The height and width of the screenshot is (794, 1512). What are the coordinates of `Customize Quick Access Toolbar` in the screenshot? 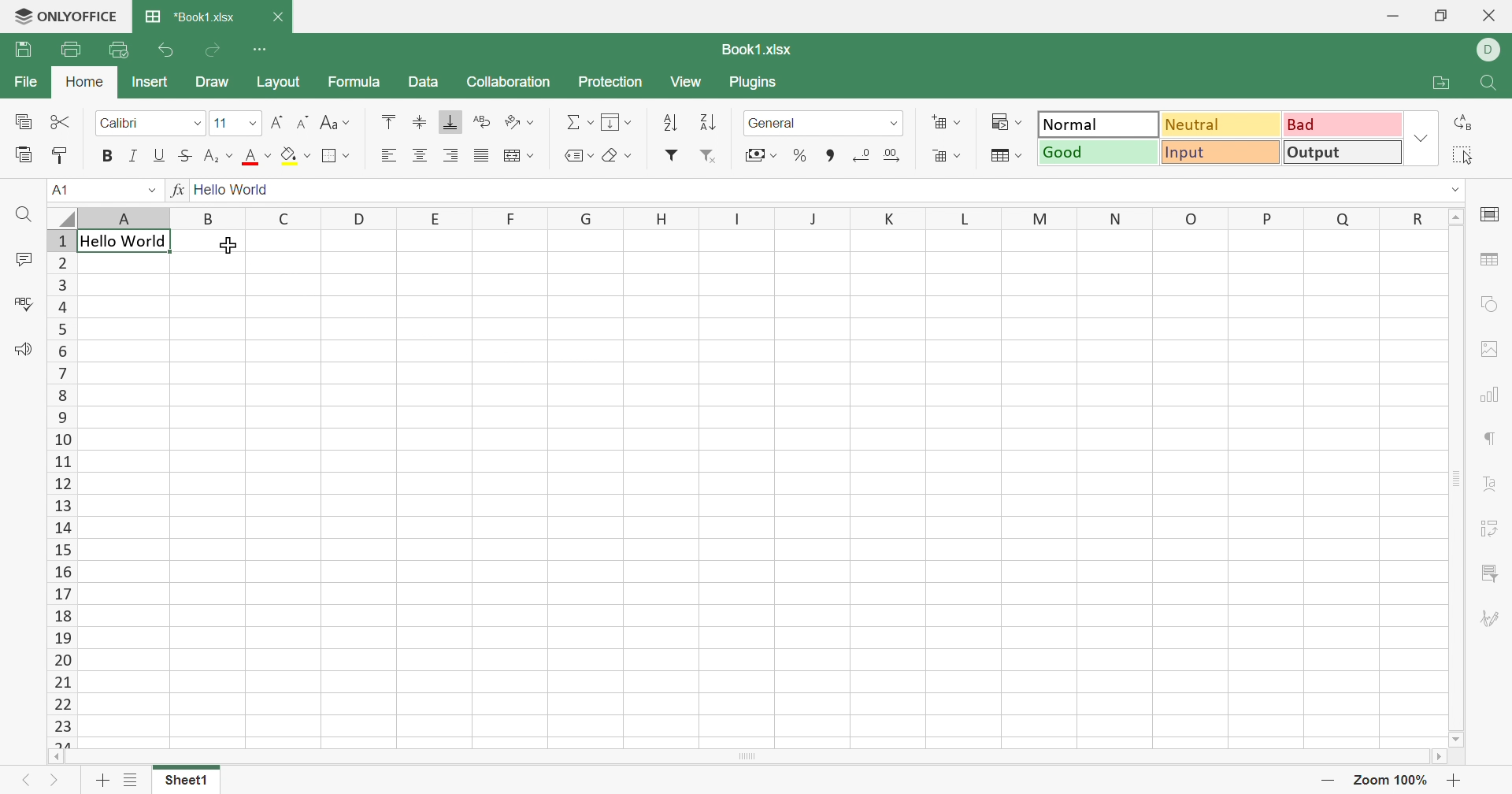 It's located at (262, 50).